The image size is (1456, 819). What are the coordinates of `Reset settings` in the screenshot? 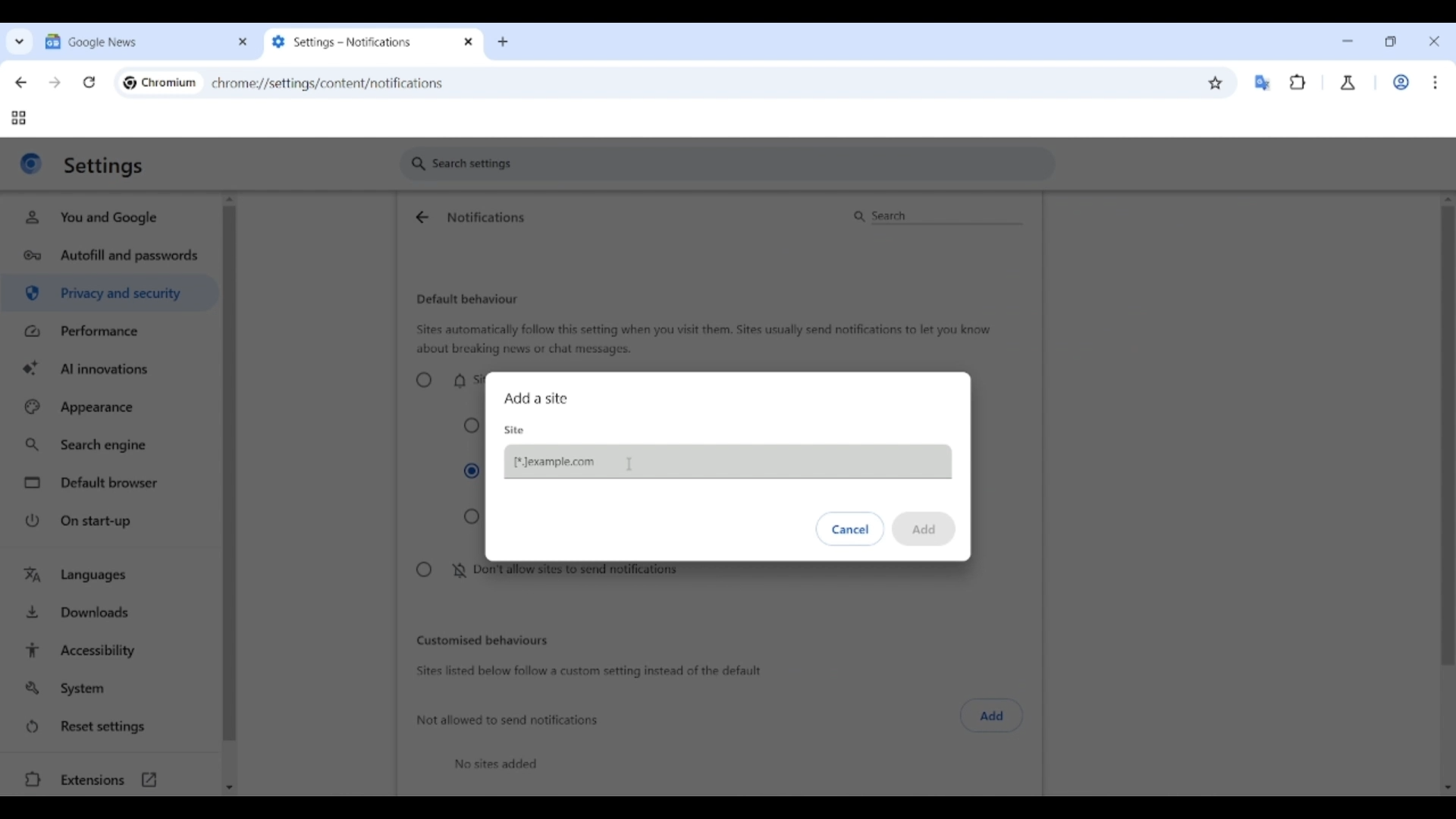 It's located at (110, 727).